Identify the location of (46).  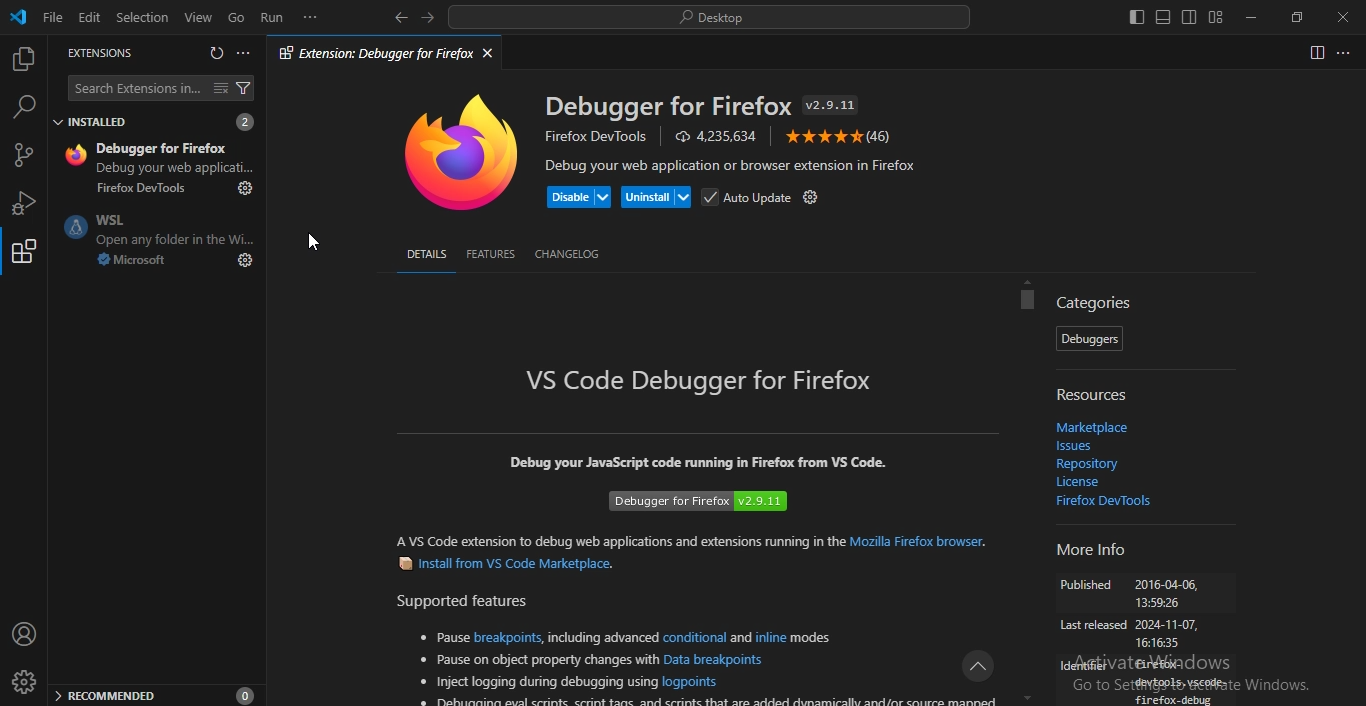
(880, 136).